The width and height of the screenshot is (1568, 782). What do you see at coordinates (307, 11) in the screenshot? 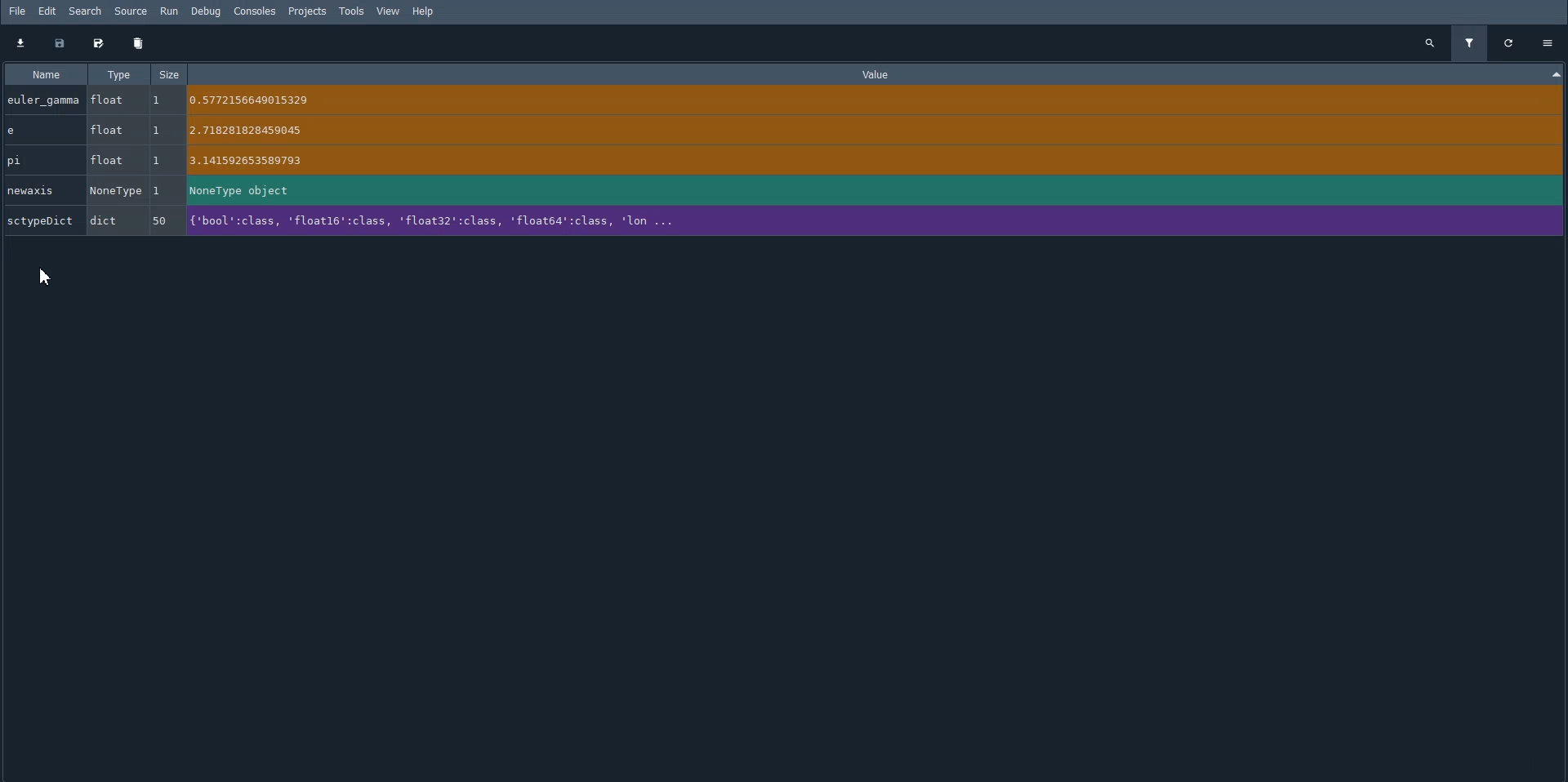
I see `Projects` at bounding box center [307, 11].